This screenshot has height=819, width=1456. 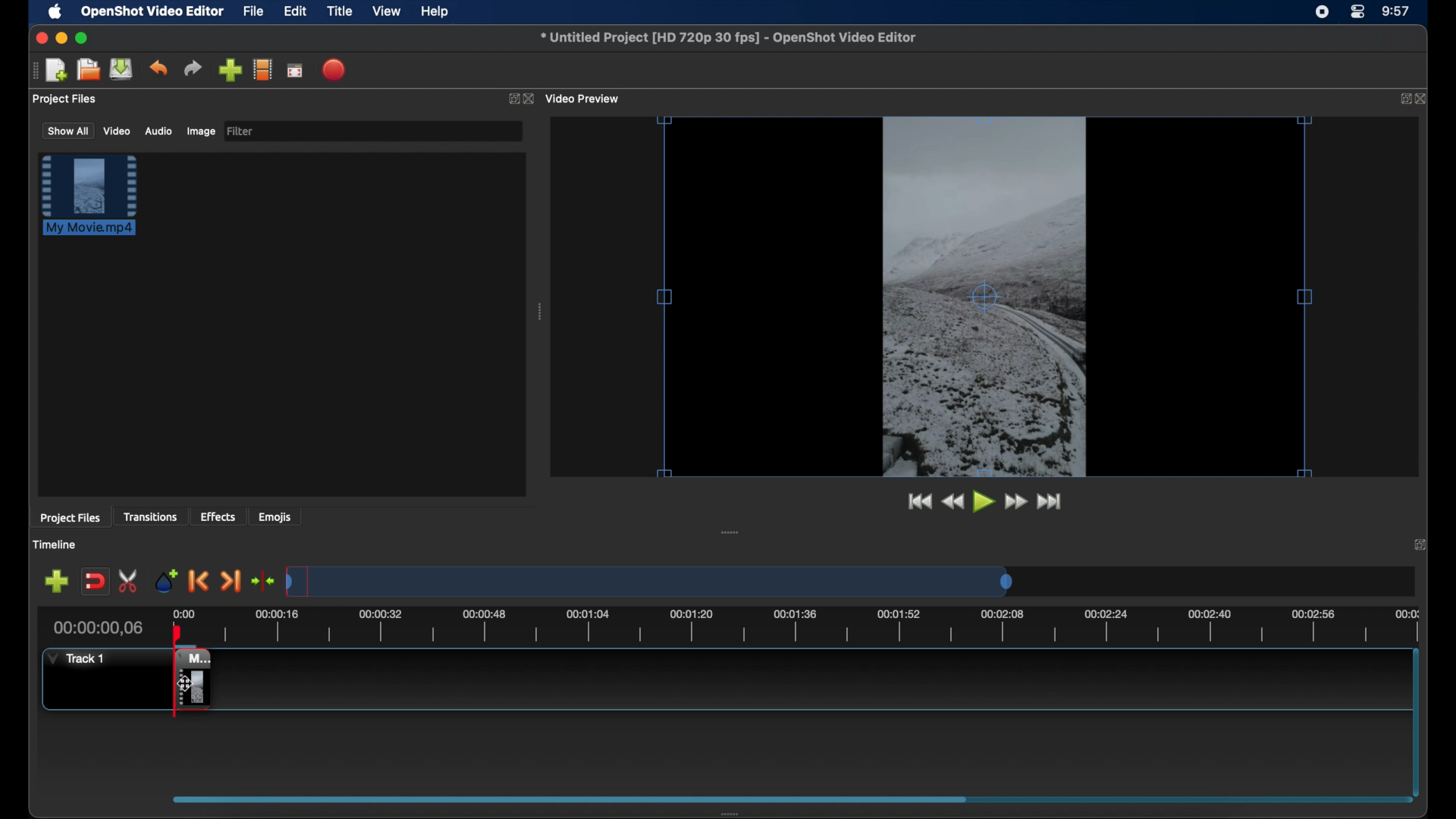 What do you see at coordinates (262, 581) in the screenshot?
I see `center the playhead on the timeline` at bounding box center [262, 581].